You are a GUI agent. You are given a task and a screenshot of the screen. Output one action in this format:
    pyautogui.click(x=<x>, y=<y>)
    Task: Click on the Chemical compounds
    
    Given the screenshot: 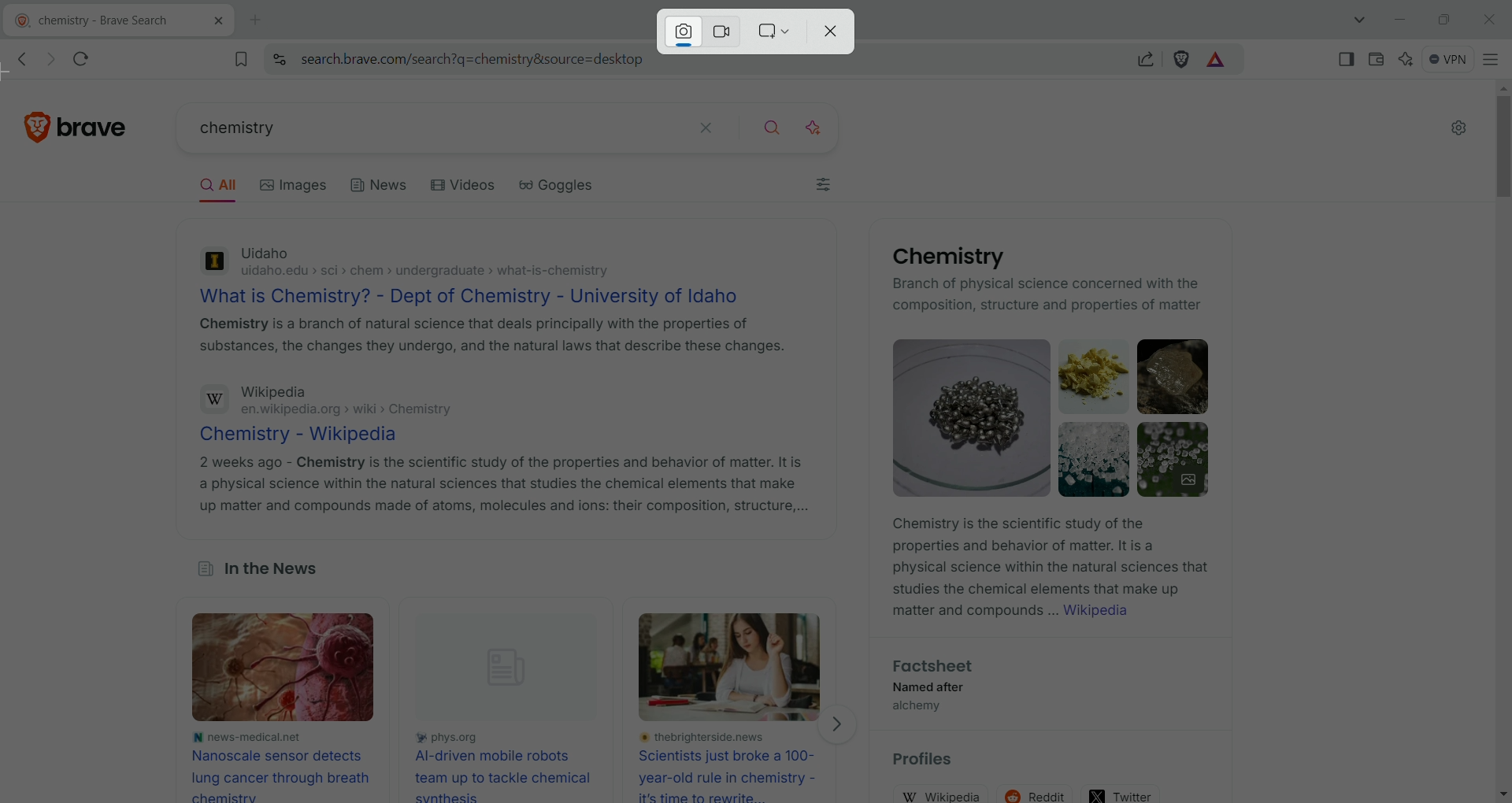 What is the action you would take?
    pyautogui.click(x=1054, y=417)
    